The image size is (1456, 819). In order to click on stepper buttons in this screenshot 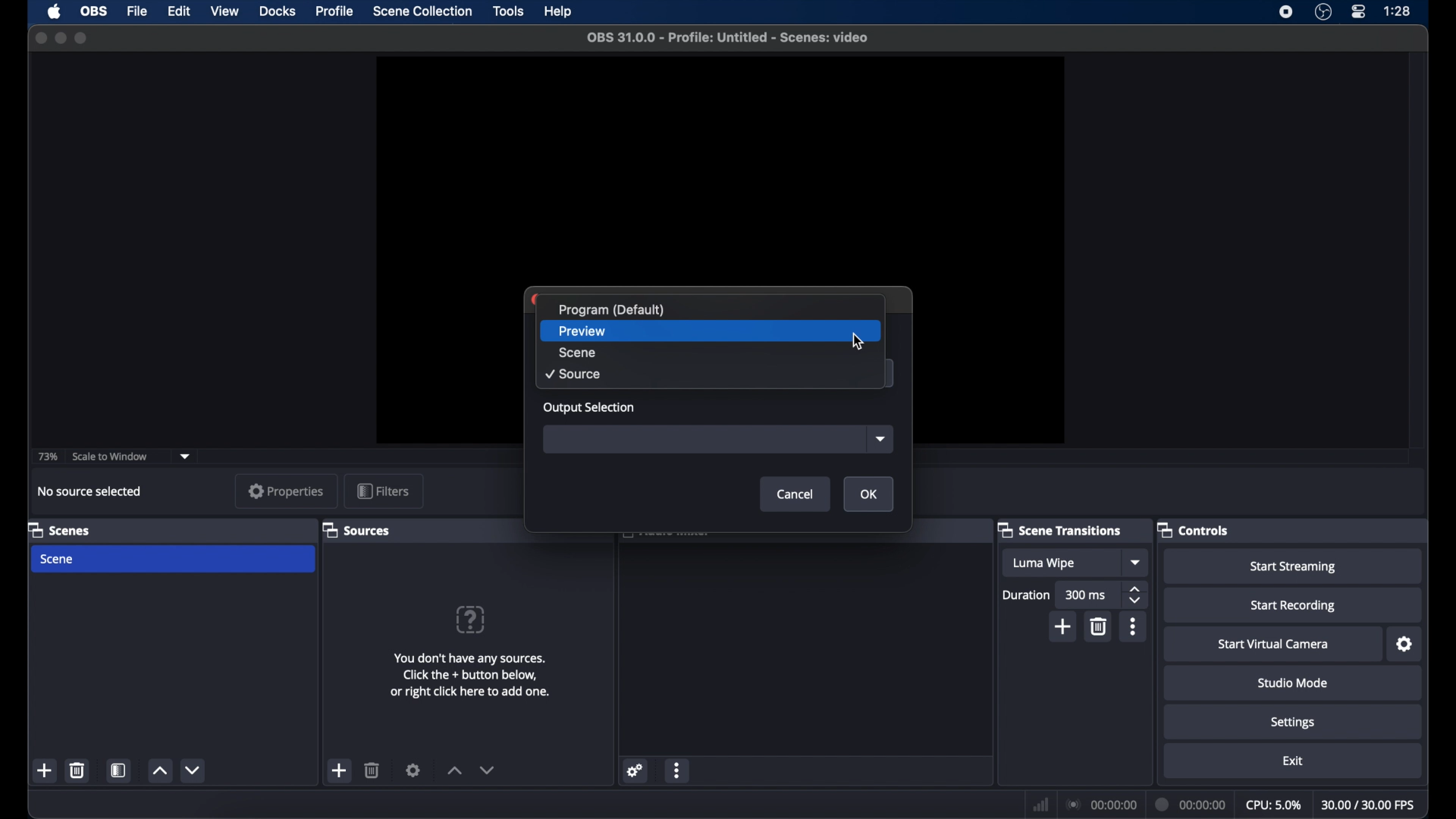, I will do `click(1134, 595)`.